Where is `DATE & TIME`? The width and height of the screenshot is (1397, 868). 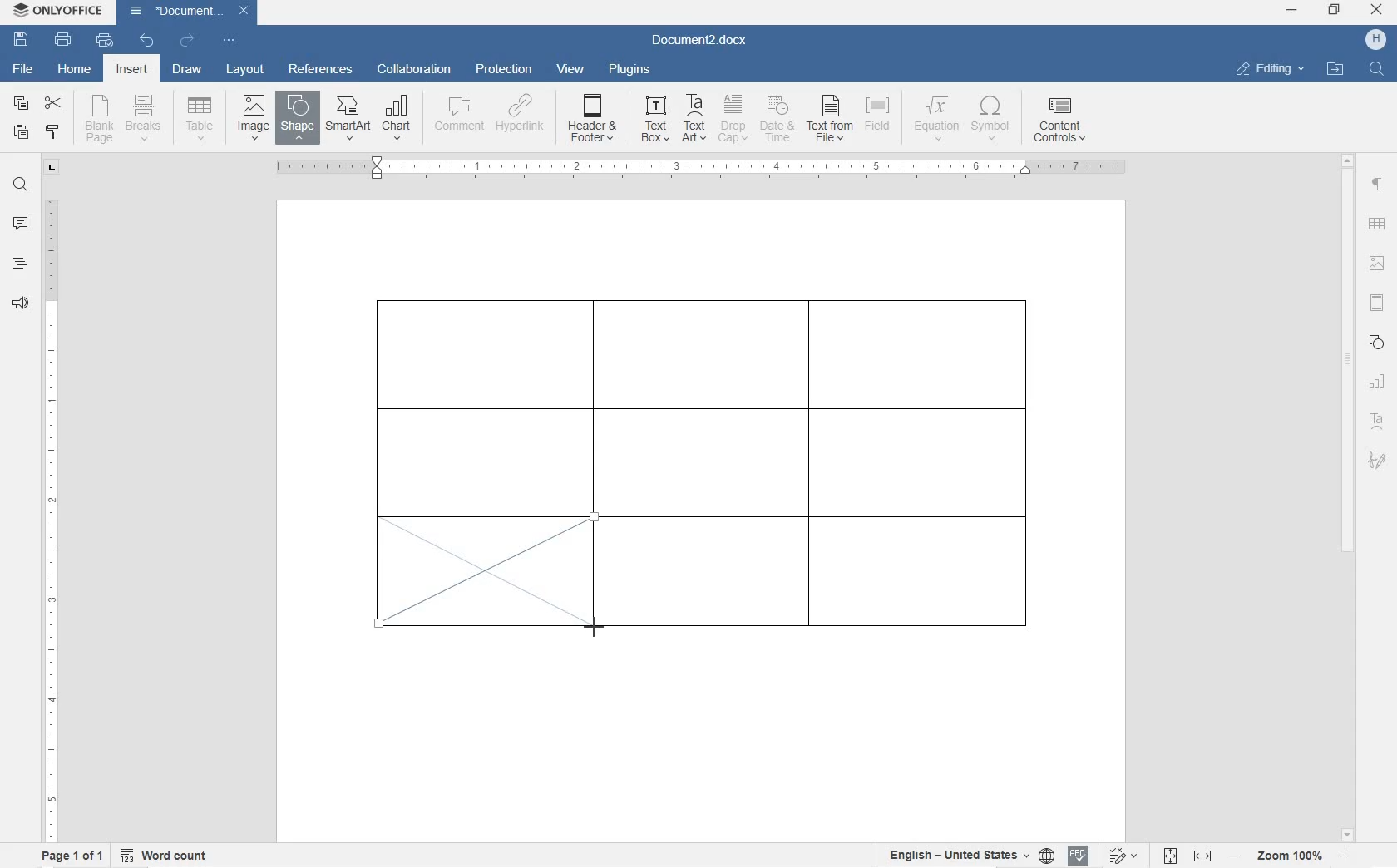
DATE & TIME is located at coordinates (780, 121).